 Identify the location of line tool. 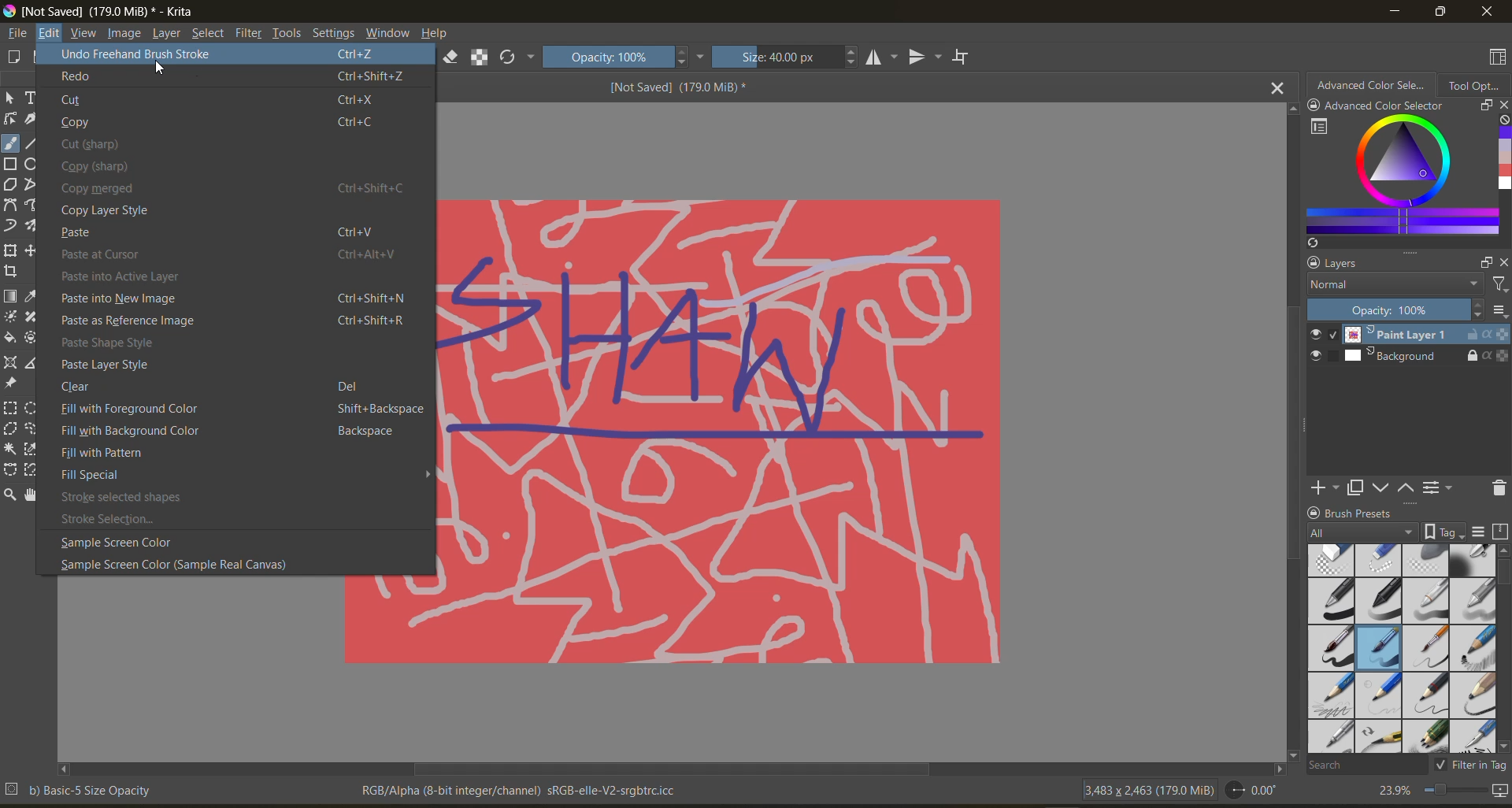
(32, 143).